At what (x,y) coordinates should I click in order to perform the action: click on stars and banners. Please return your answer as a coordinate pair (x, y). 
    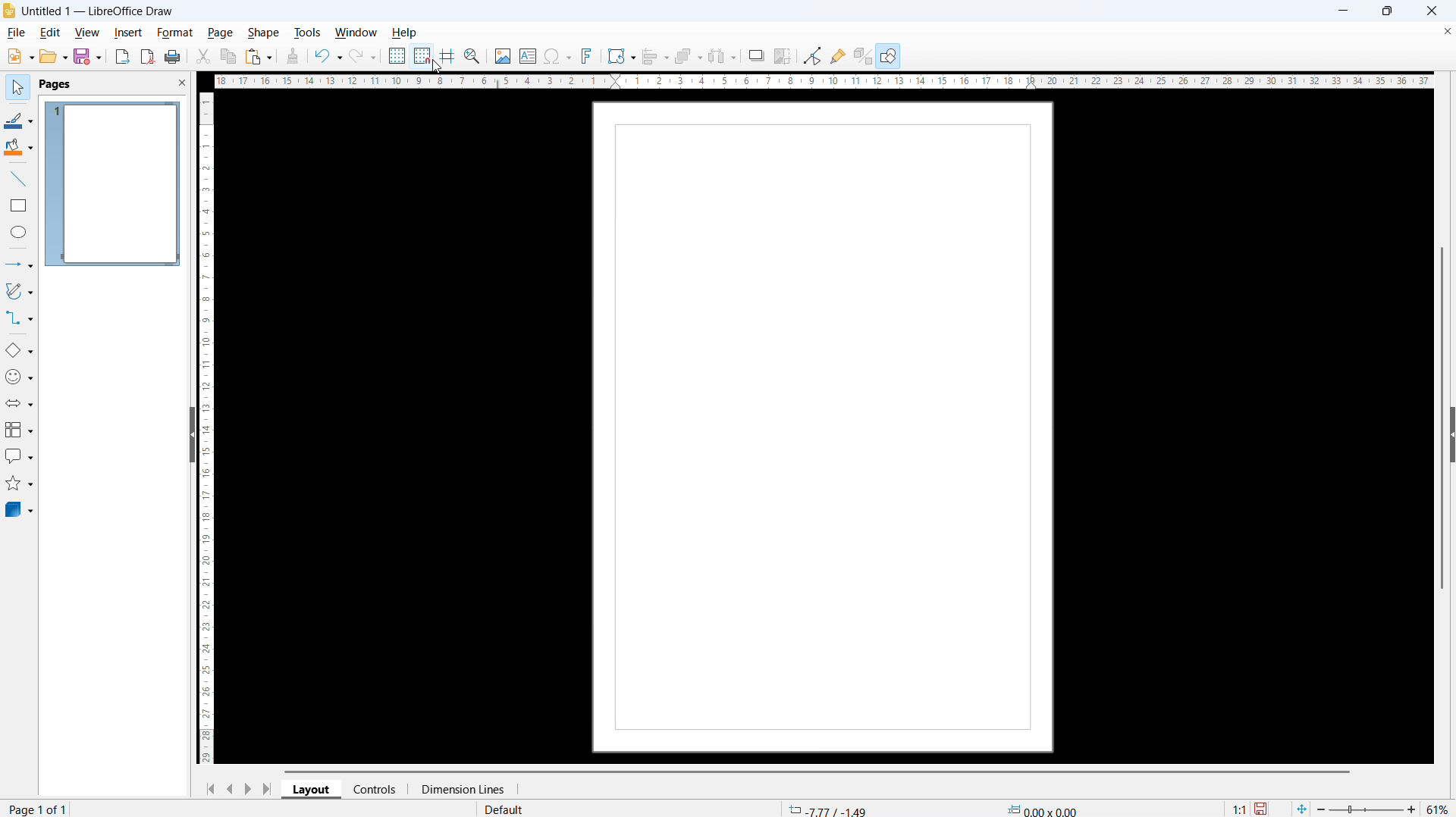
    Looking at the image, I should click on (20, 484).